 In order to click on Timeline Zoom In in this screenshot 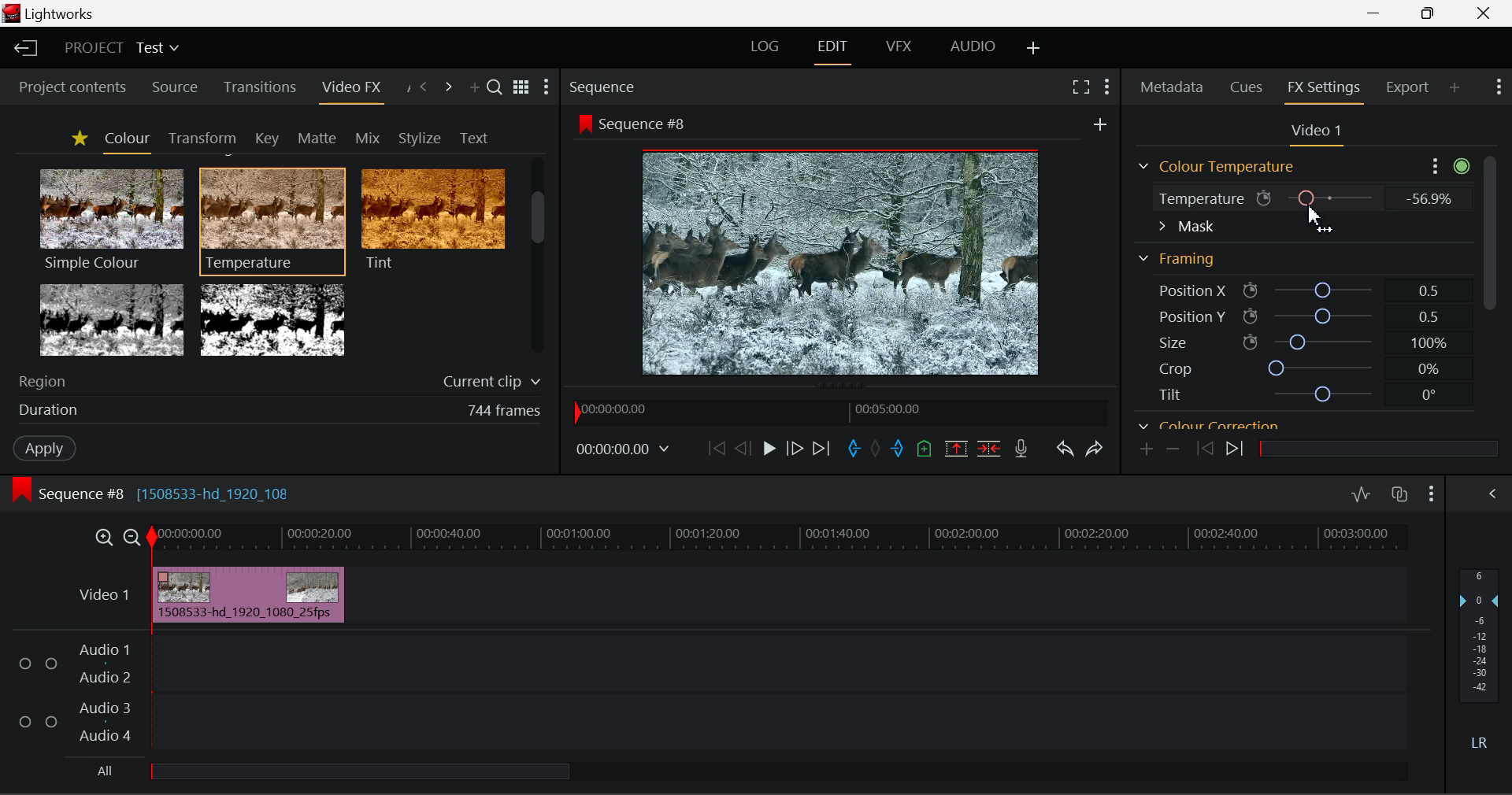, I will do `click(106, 536)`.